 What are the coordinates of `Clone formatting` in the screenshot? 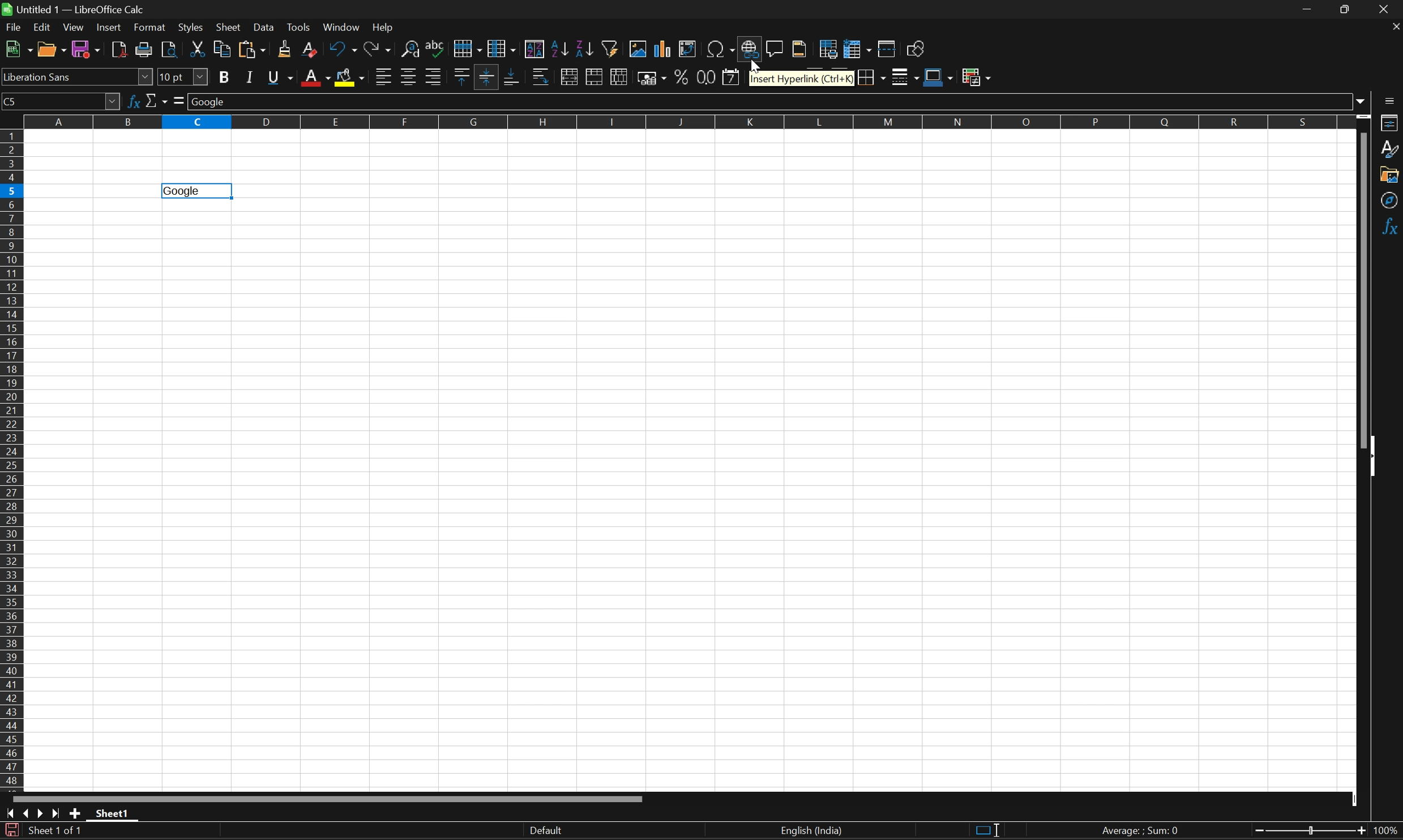 It's located at (286, 49).